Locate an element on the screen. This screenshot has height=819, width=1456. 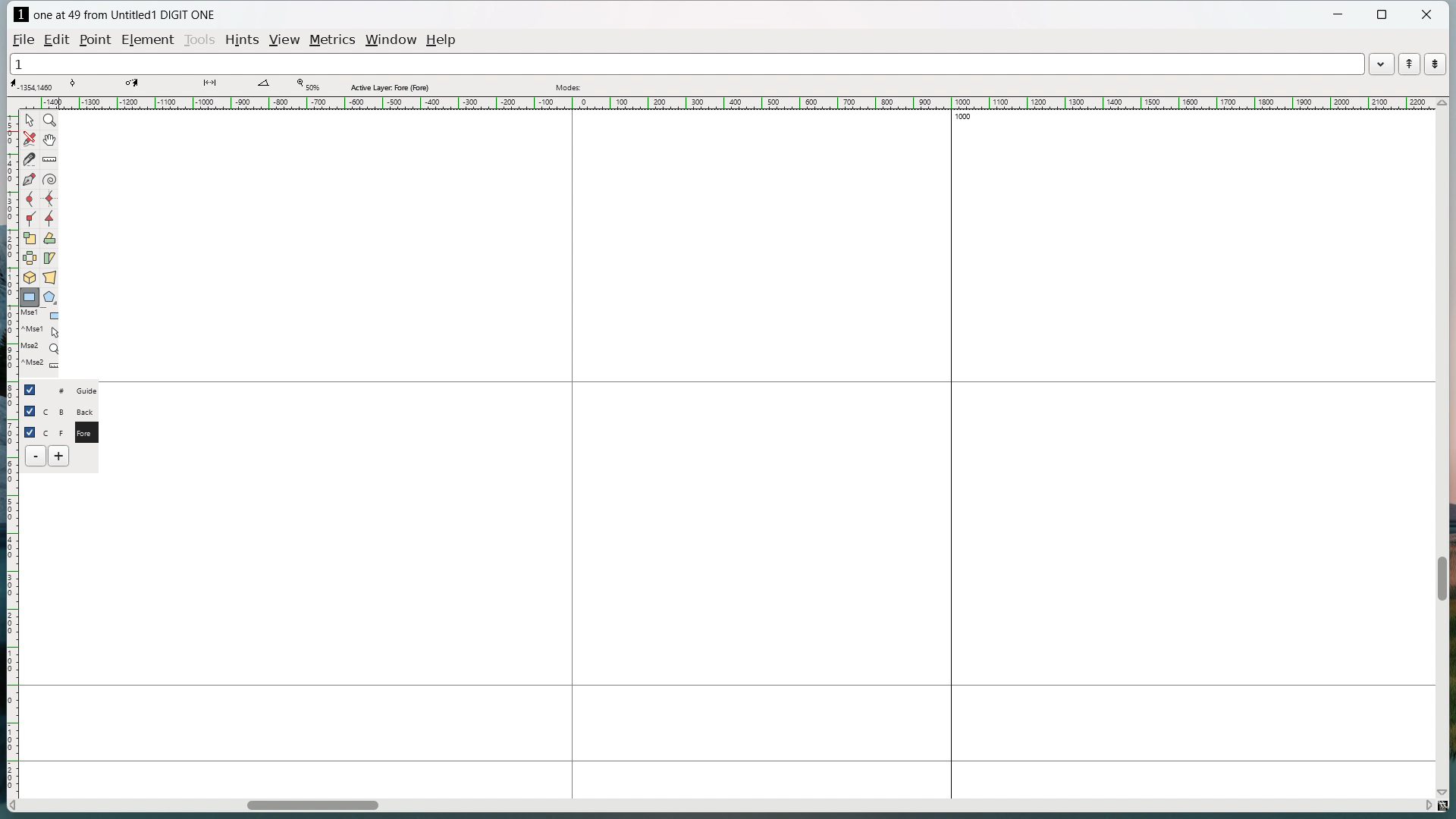
add a corner point is located at coordinates (30, 218).